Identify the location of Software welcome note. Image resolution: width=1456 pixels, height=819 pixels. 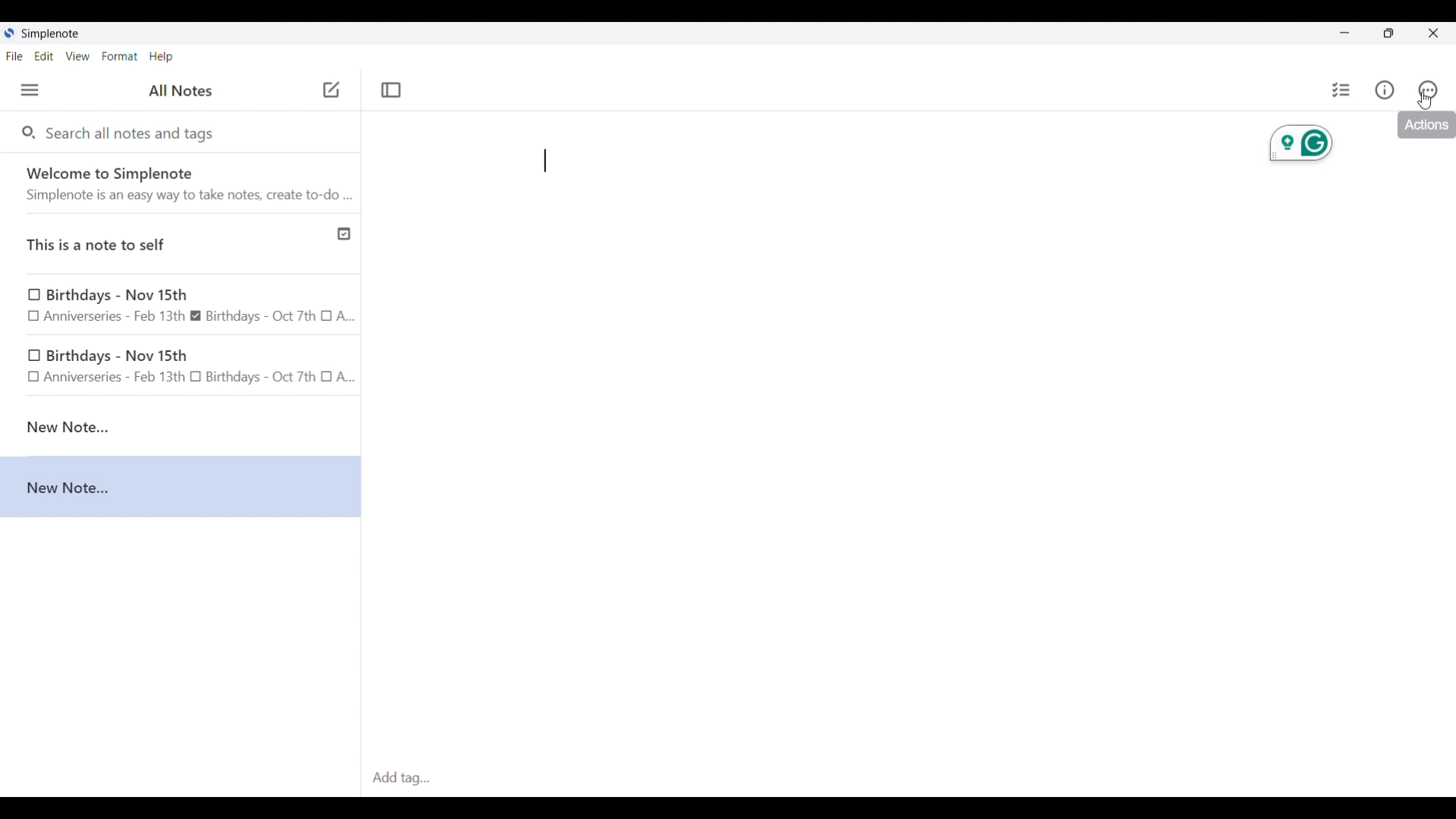
(184, 183).